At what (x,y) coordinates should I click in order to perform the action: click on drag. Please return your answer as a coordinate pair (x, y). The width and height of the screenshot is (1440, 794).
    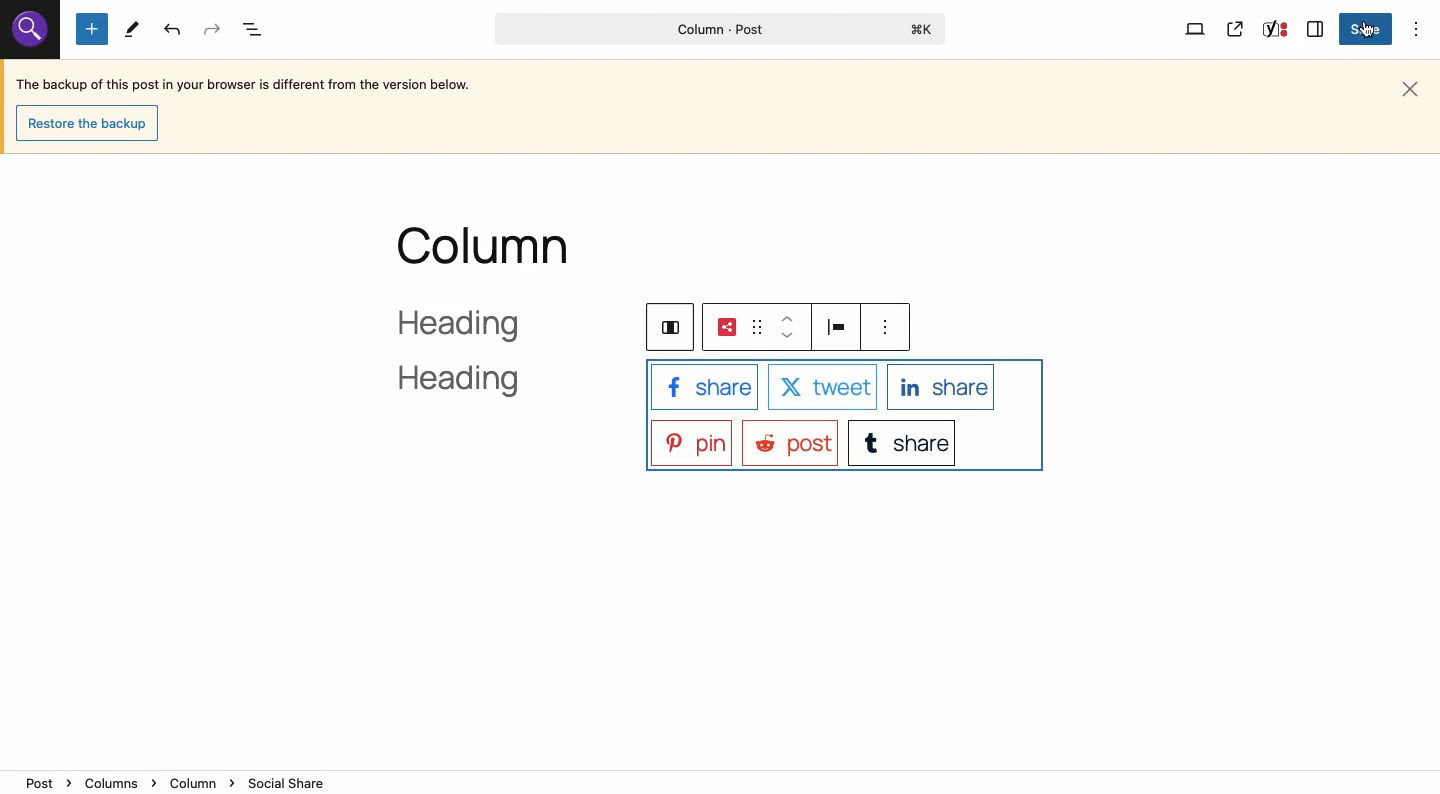
    Looking at the image, I should click on (755, 327).